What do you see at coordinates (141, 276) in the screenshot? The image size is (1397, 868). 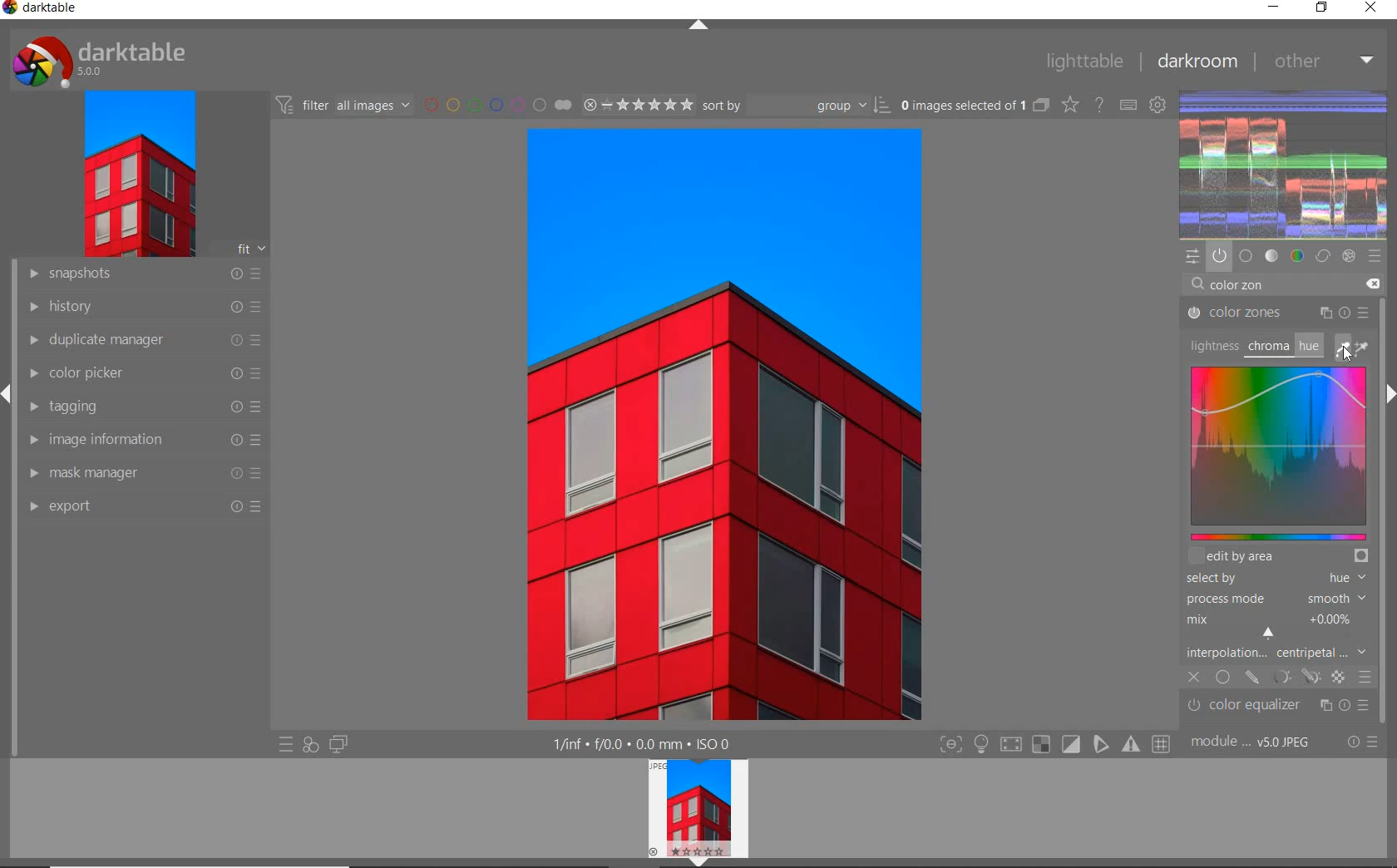 I see `snapshots` at bounding box center [141, 276].